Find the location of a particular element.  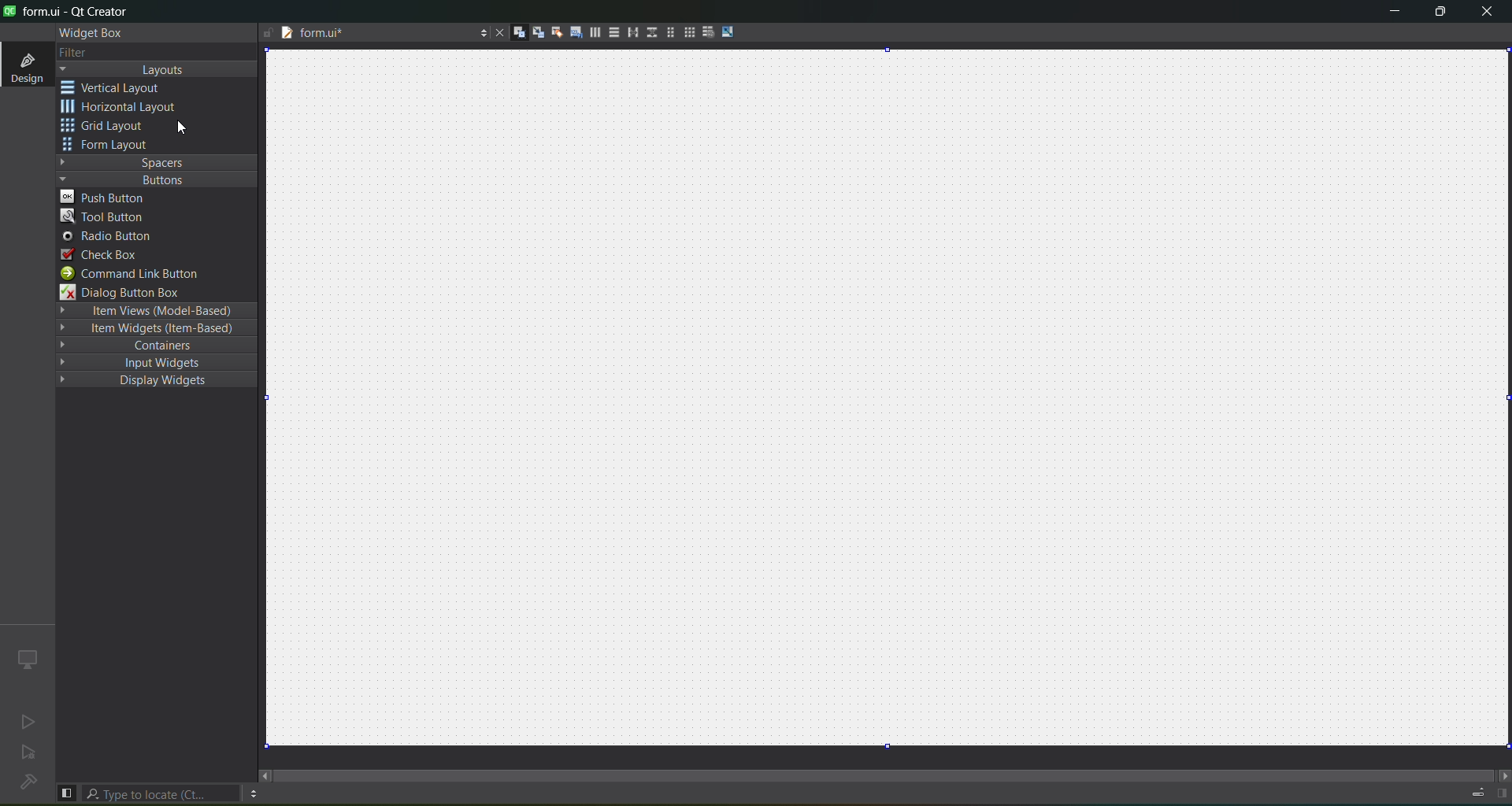

form layout is located at coordinates (667, 32).